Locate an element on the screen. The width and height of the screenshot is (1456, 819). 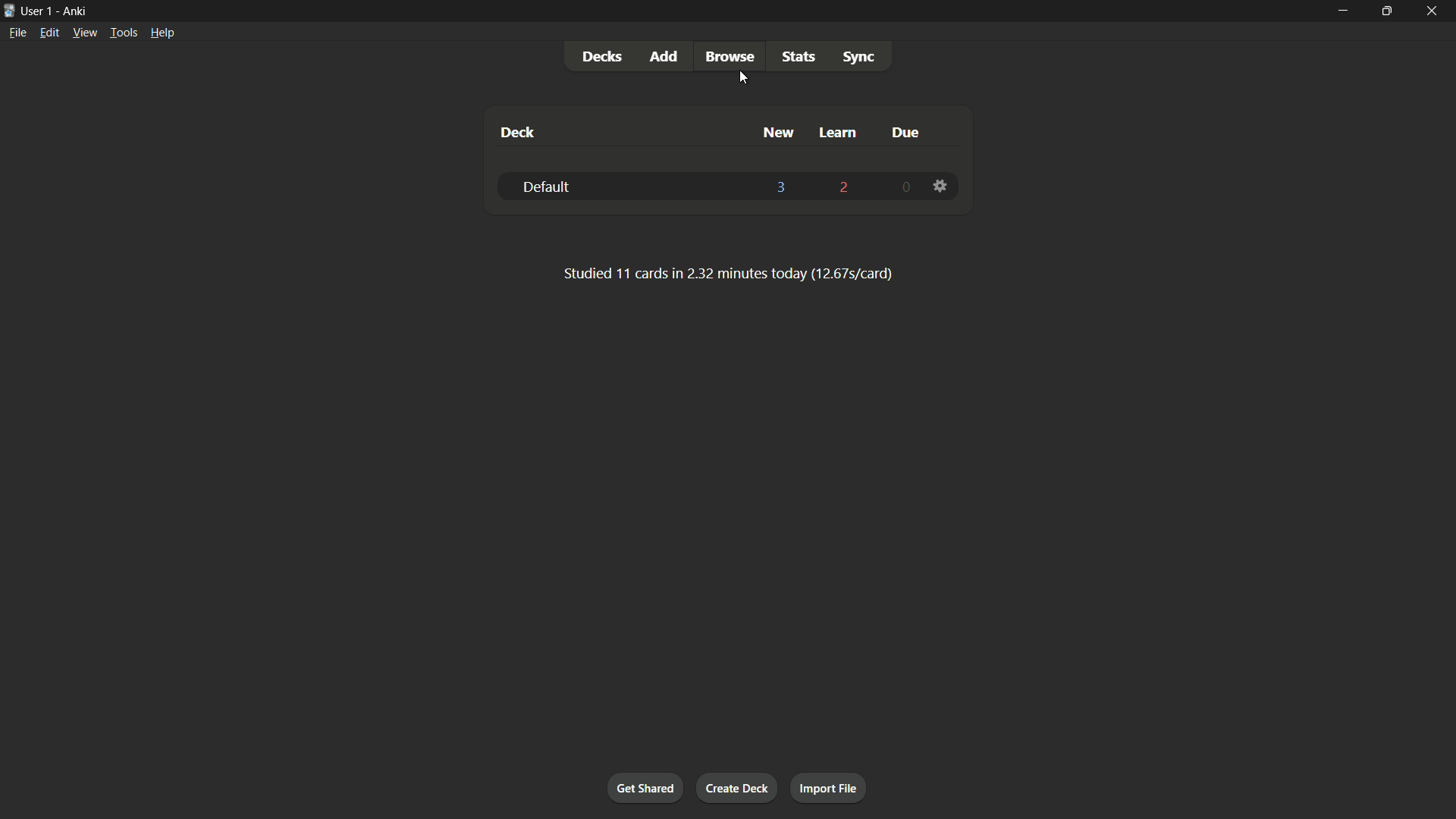
get shared is located at coordinates (644, 789).